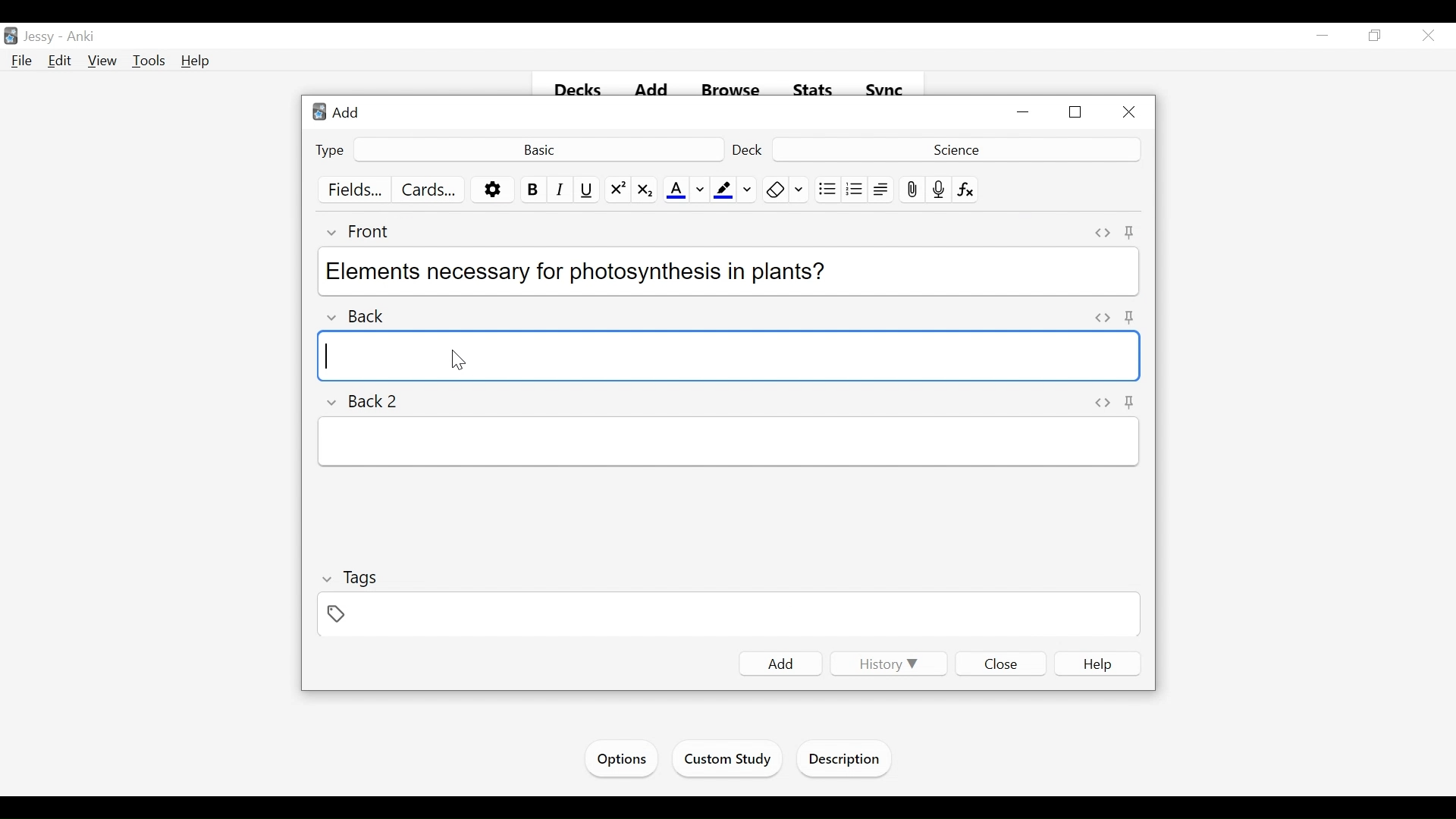  Describe the element at coordinates (881, 190) in the screenshot. I see `Alignment` at that location.